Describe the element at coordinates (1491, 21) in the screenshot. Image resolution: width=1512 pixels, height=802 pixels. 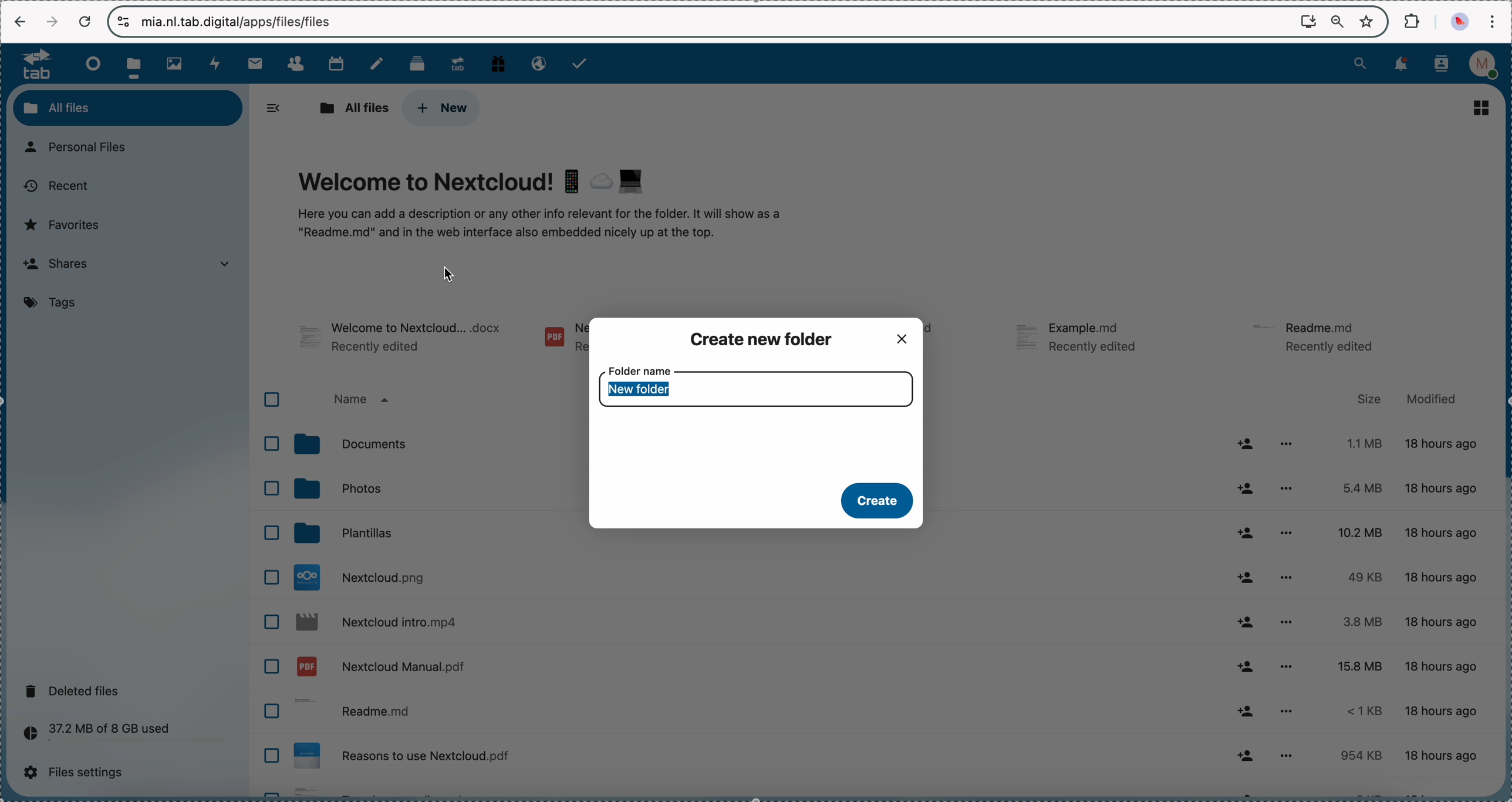
I see `customize and control Google Chrome` at that location.